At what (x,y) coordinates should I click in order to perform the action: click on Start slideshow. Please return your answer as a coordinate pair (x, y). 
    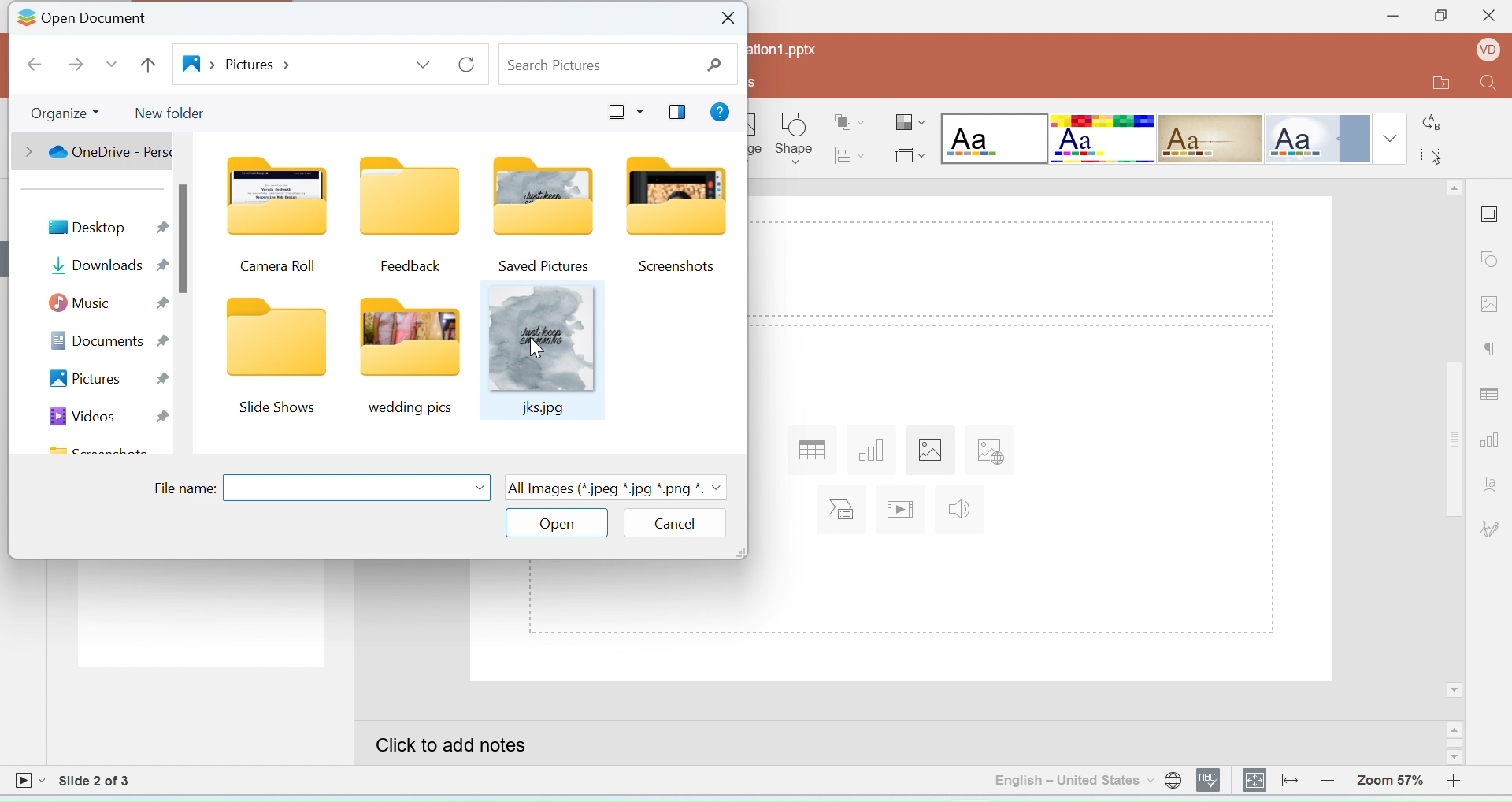
    Looking at the image, I should click on (29, 782).